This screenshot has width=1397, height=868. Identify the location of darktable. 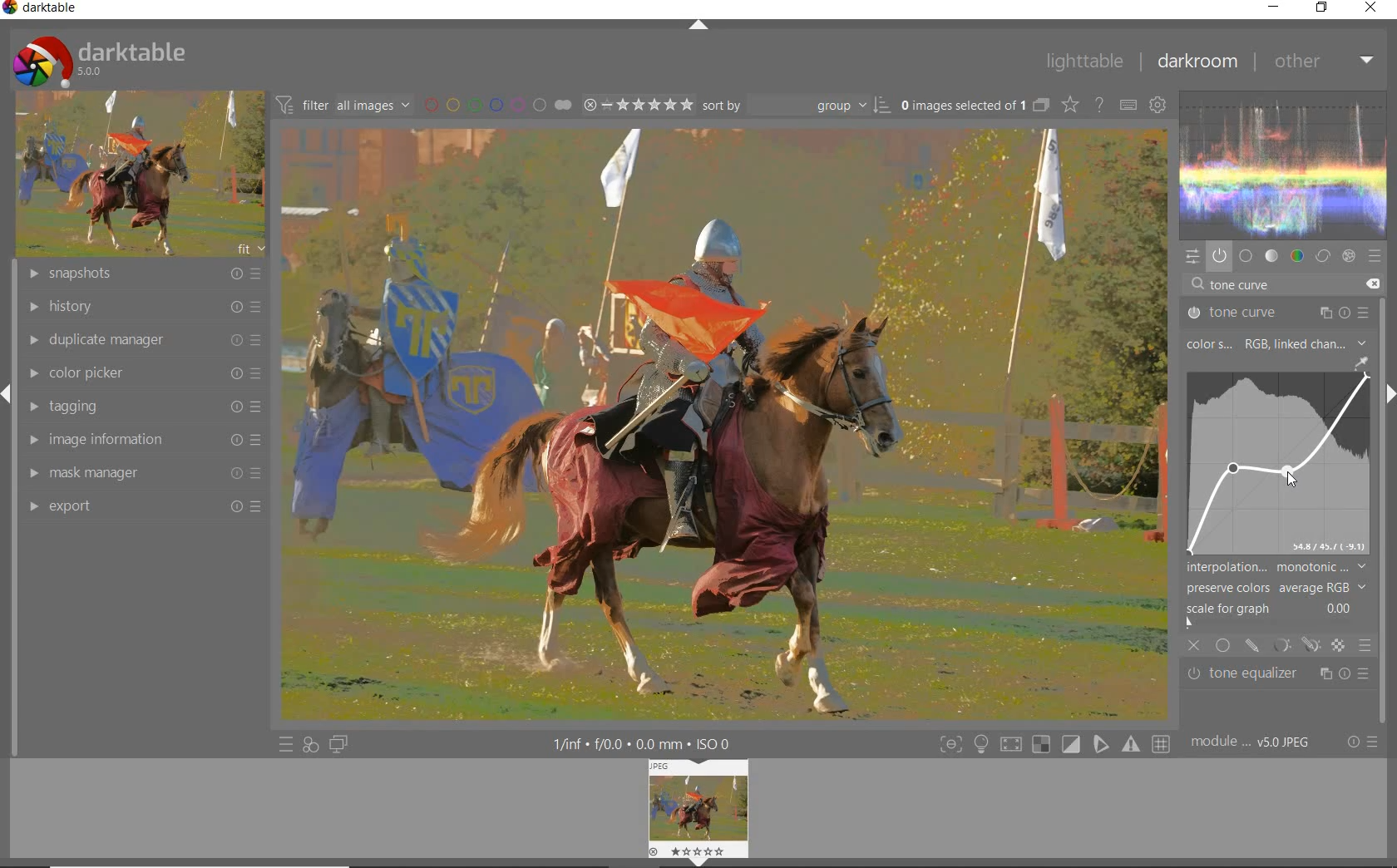
(98, 57).